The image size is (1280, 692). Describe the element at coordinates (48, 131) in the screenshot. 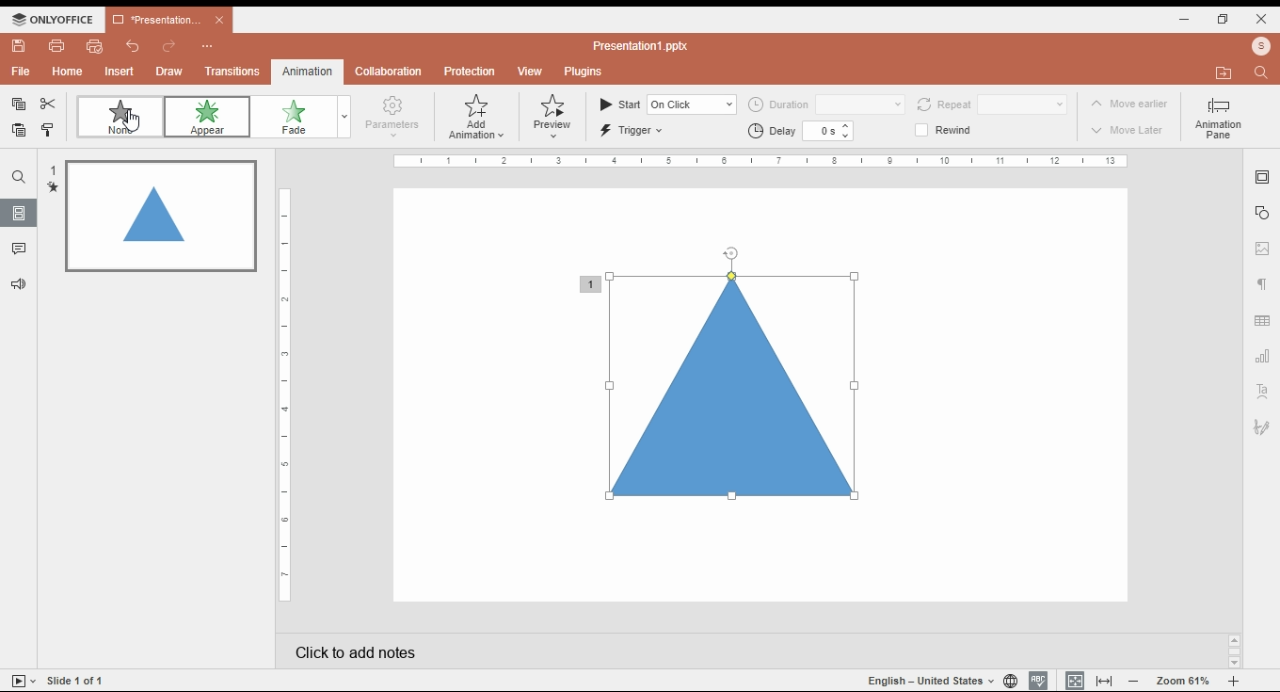

I see `copy style` at that location.